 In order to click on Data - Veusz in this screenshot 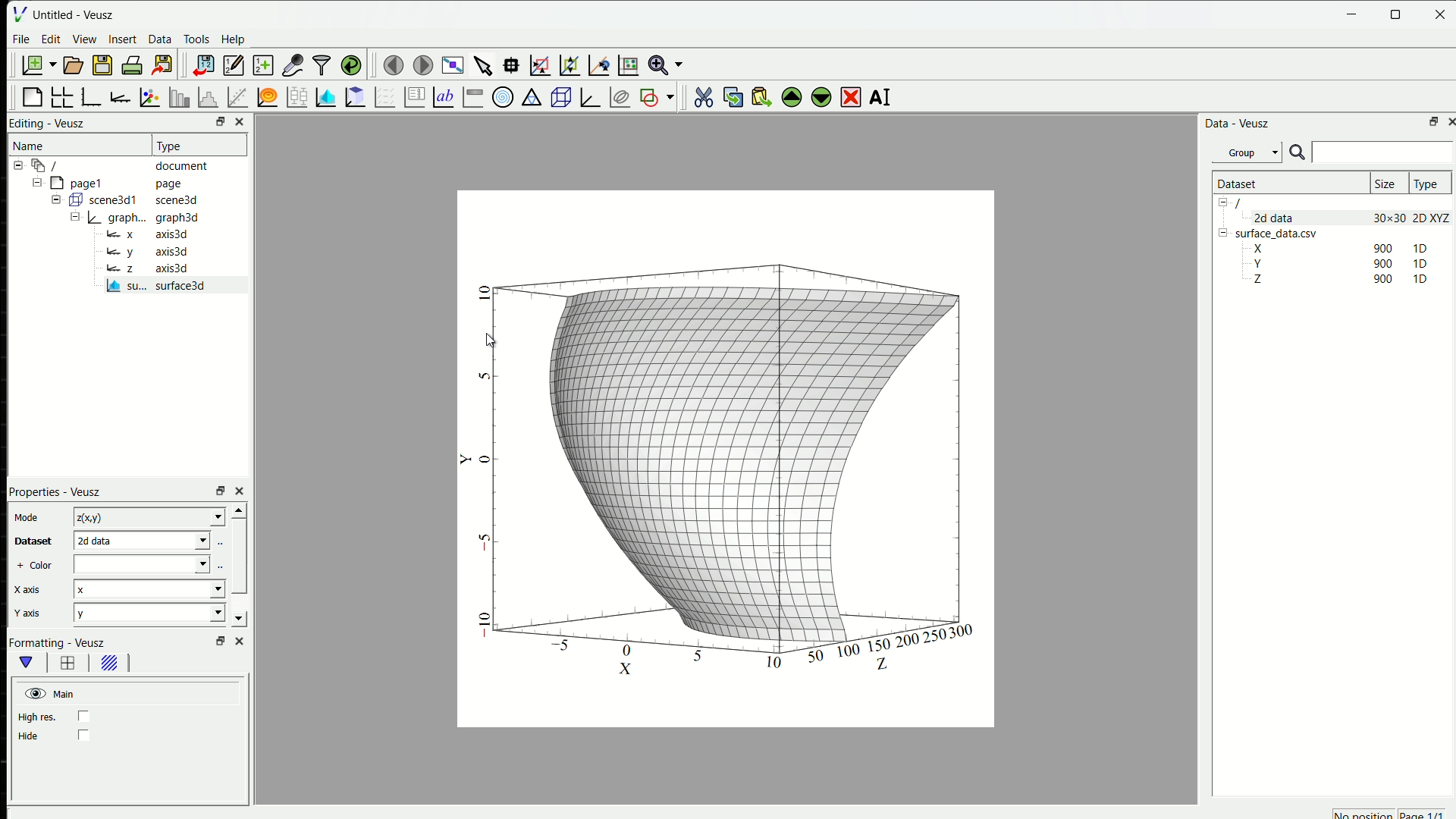, I will do `click(1239, 124)`.